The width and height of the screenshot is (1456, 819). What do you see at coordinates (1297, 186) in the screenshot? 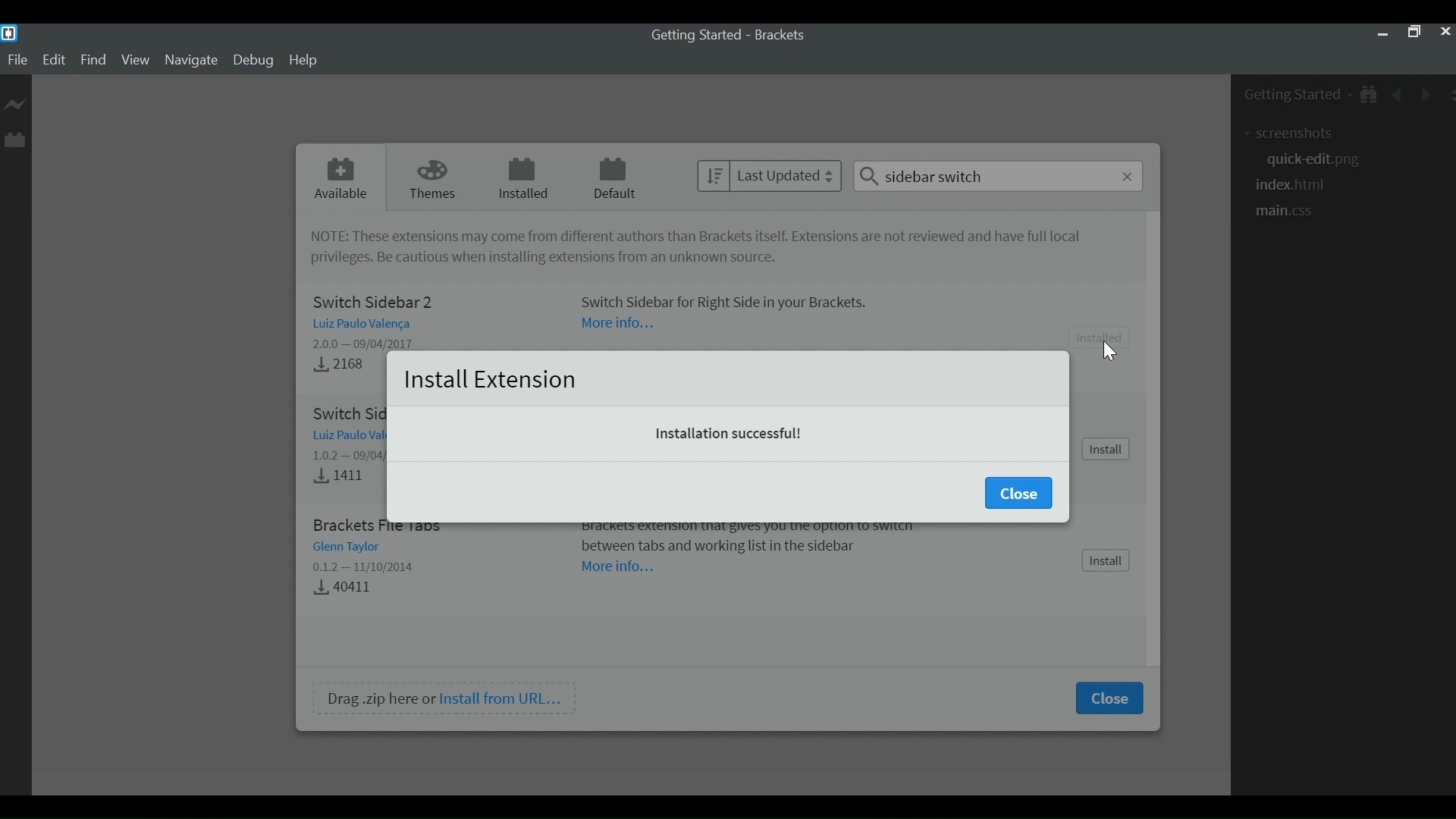
I see `html navigation` at bounding box center [1297, 186].